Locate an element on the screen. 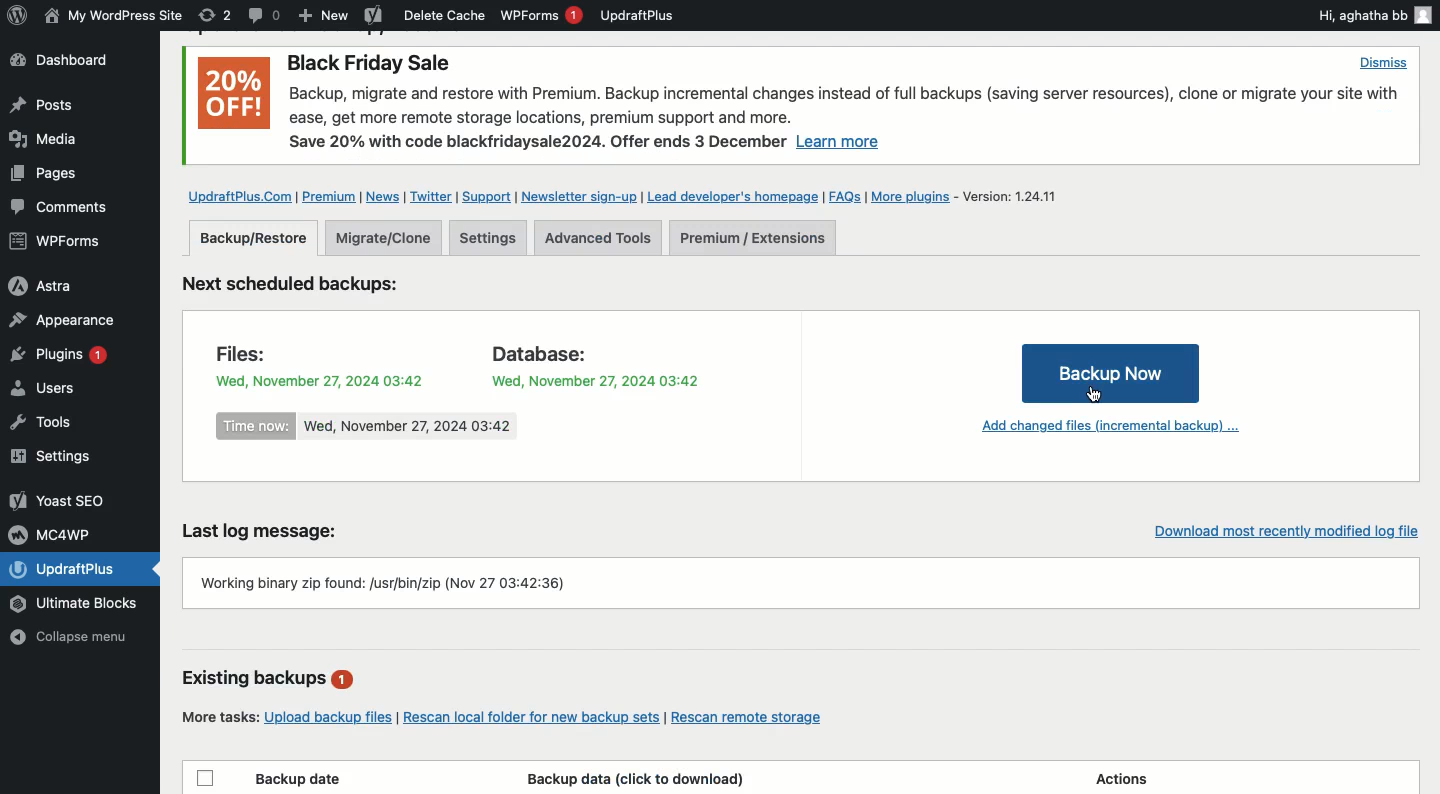 The height and width of the screenshot is (794, 1440). Rescan local folder for new backup sets is located at coordinates (531, 714).